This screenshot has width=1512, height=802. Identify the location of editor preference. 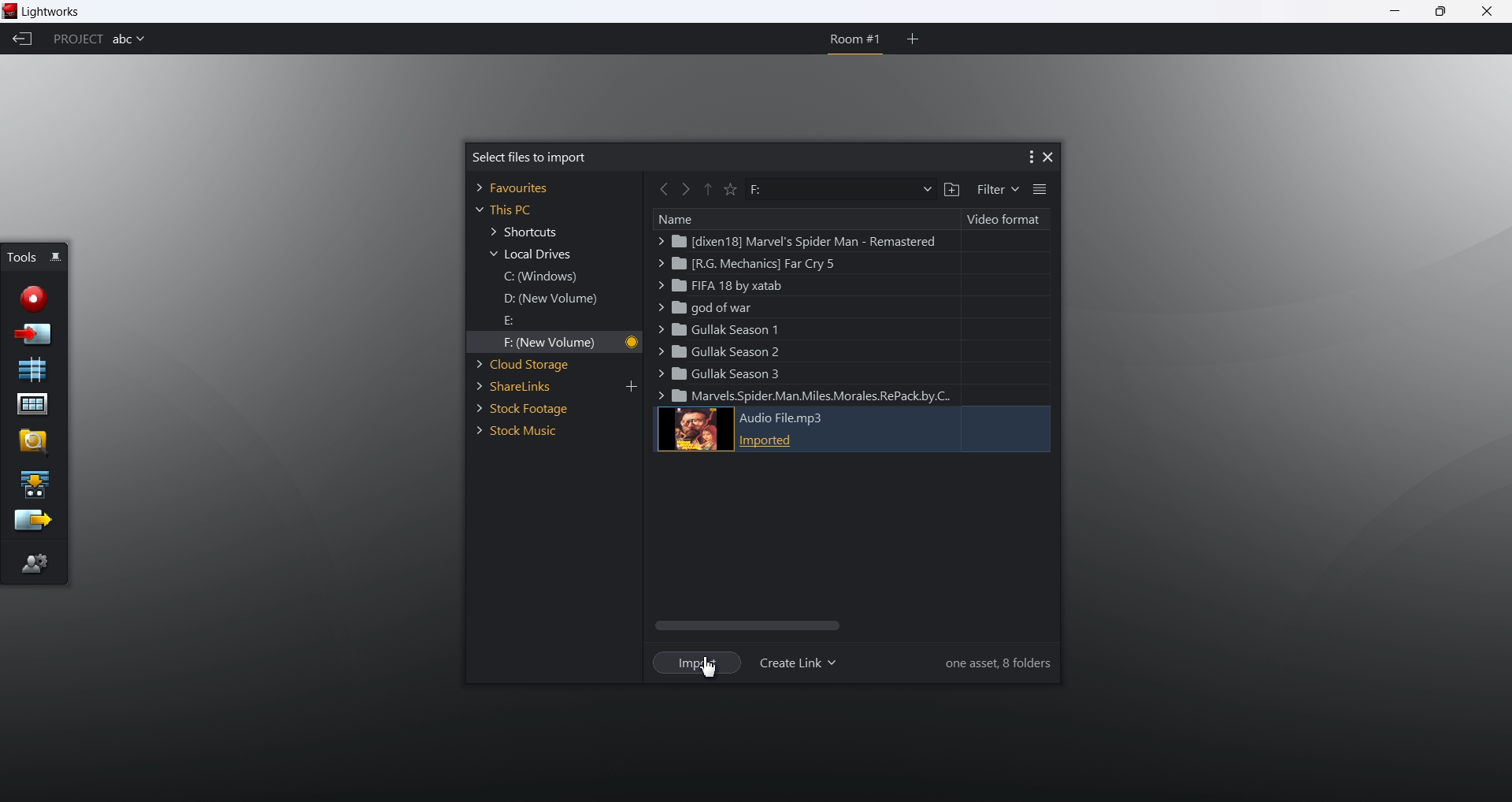
(35, 563).